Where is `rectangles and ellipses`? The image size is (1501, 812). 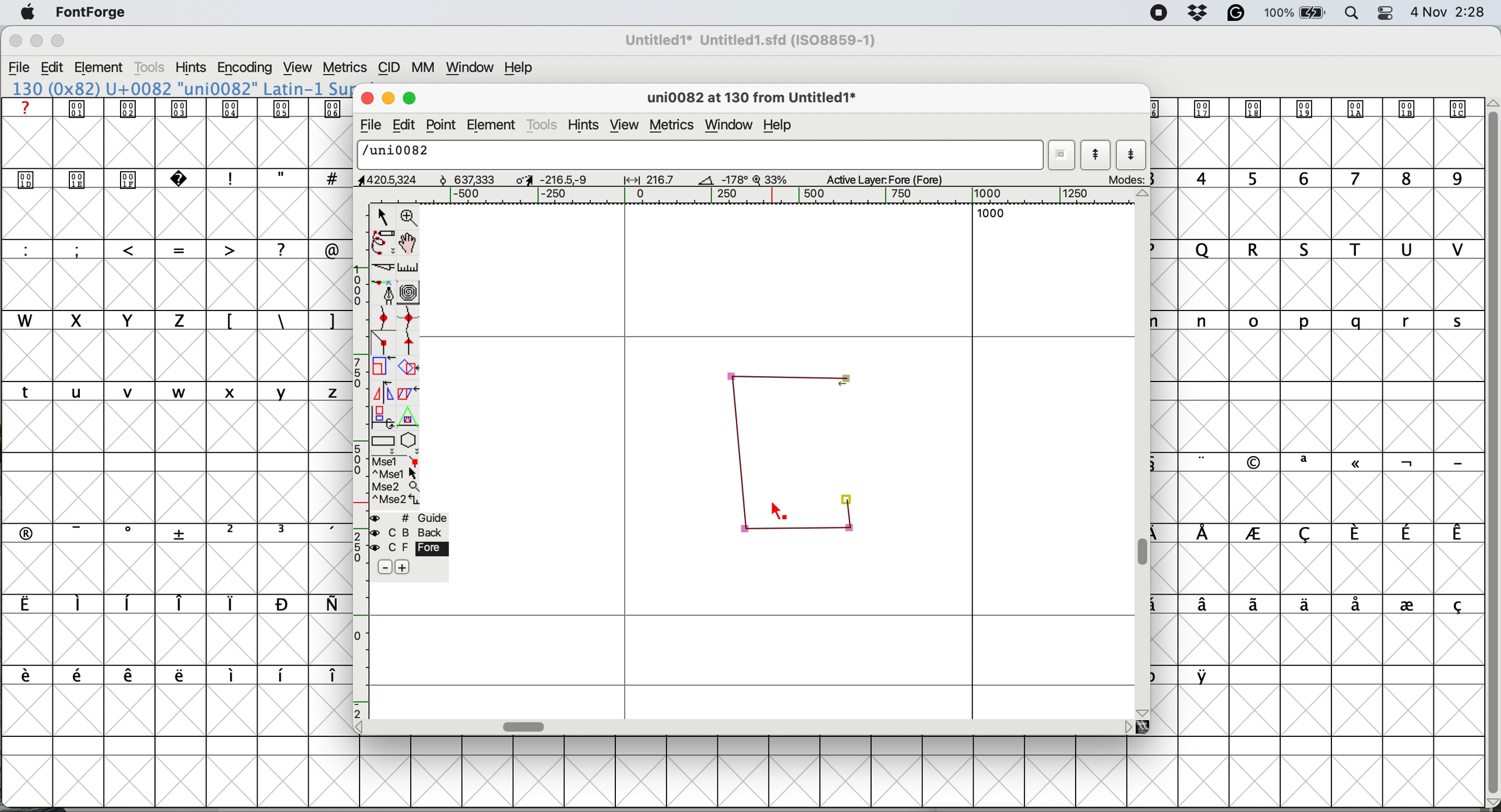 rectangles and ellipses is located at coordinates (385, 443).